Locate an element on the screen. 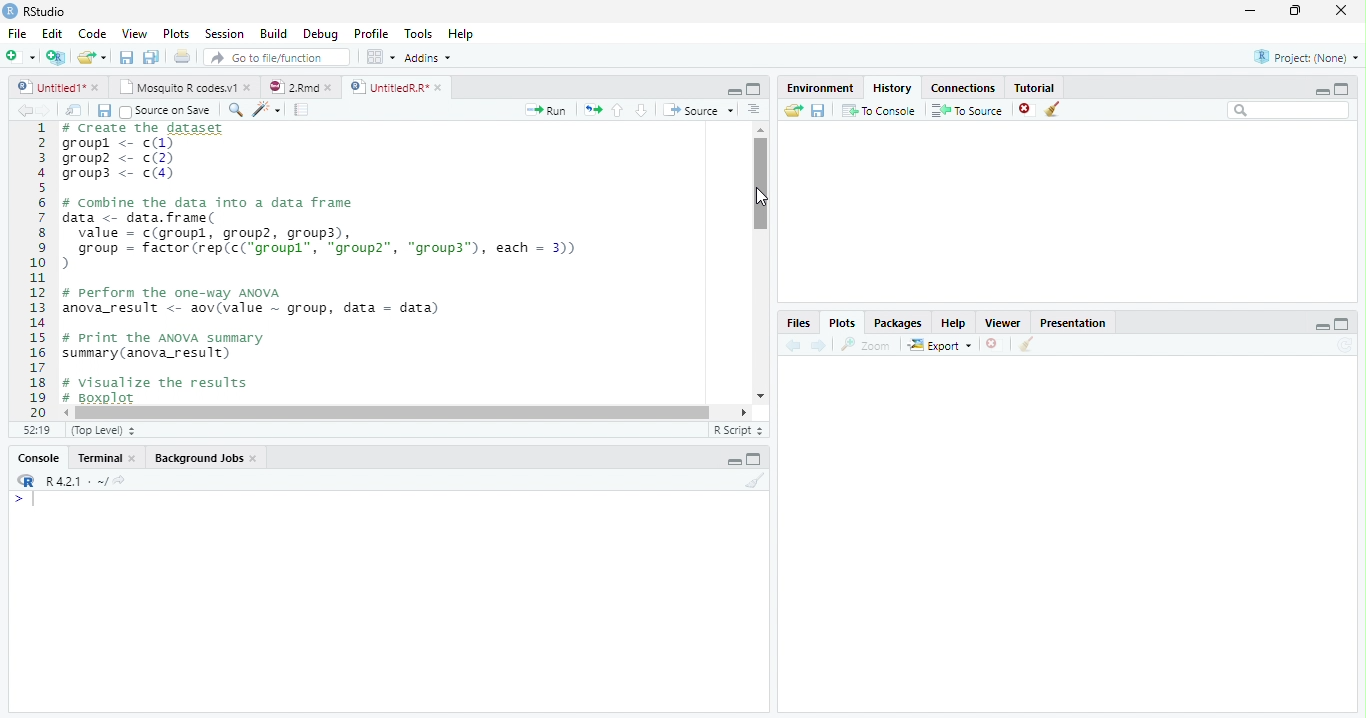 The height and width of the screenshot is (718, 1366). Delete file is located at coordinates (1028, 109).